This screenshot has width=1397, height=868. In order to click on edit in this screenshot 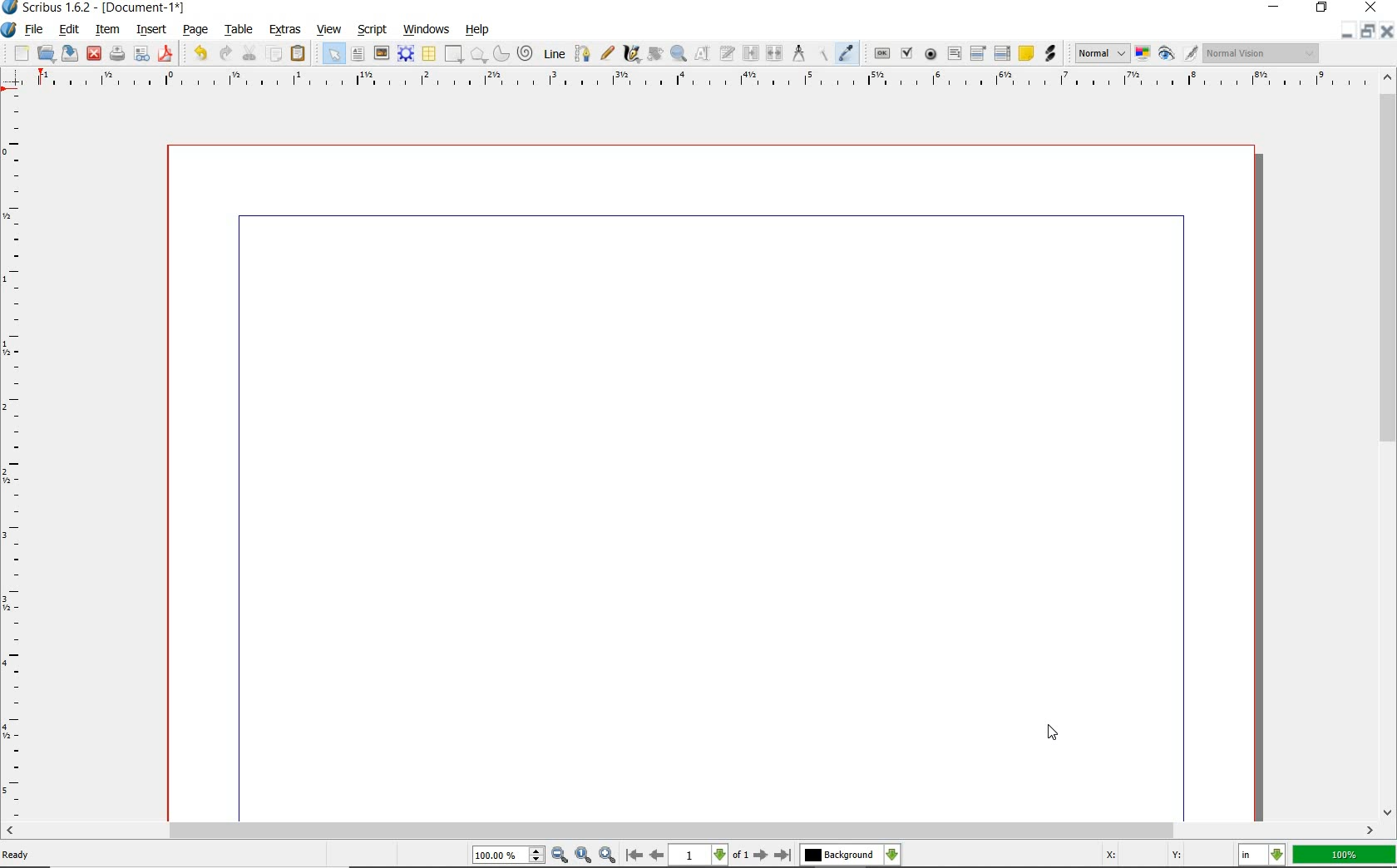, I will do `click(71, 29)`.